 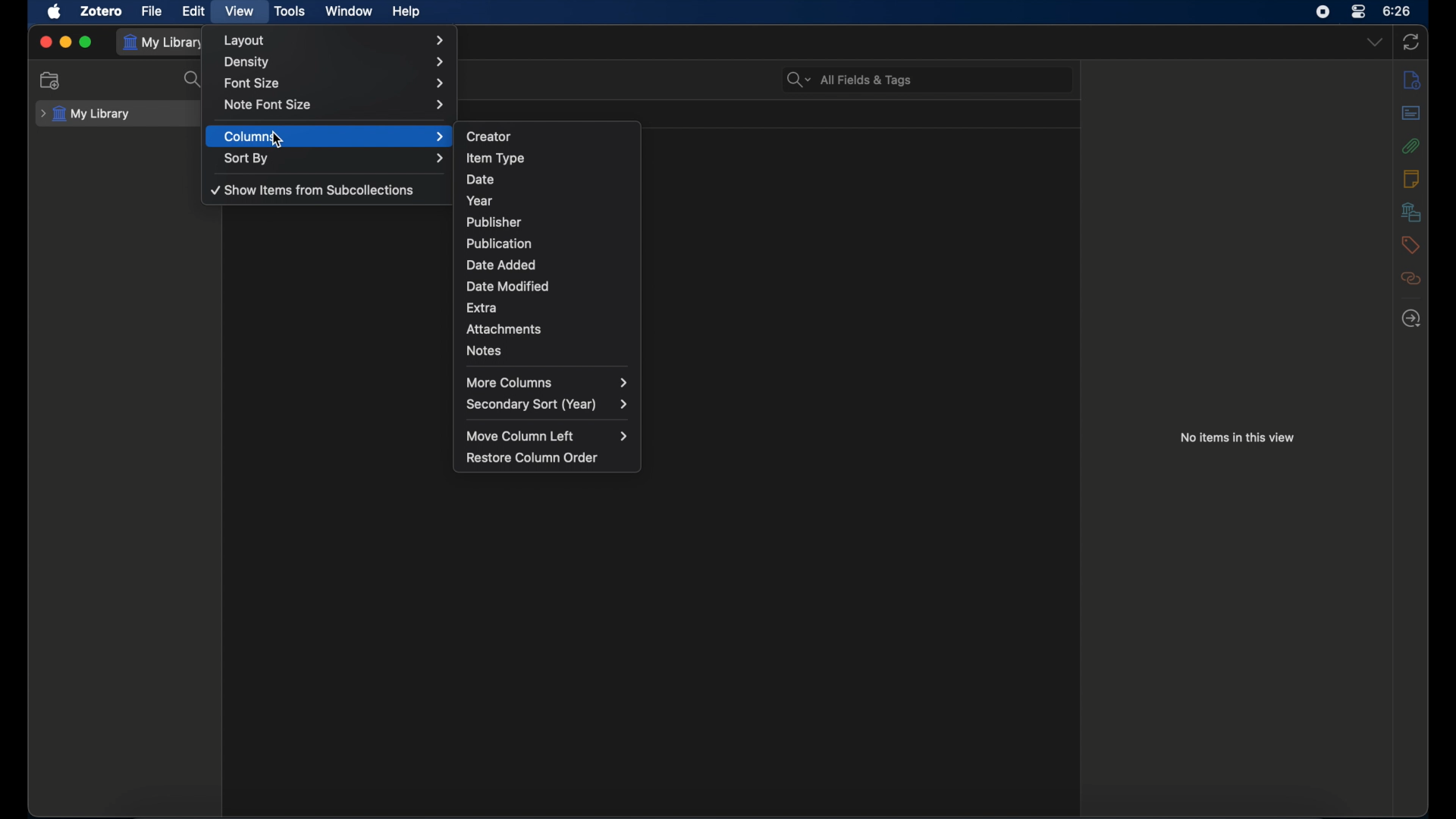 I want to click on date modified, so click(x=548, y=286).